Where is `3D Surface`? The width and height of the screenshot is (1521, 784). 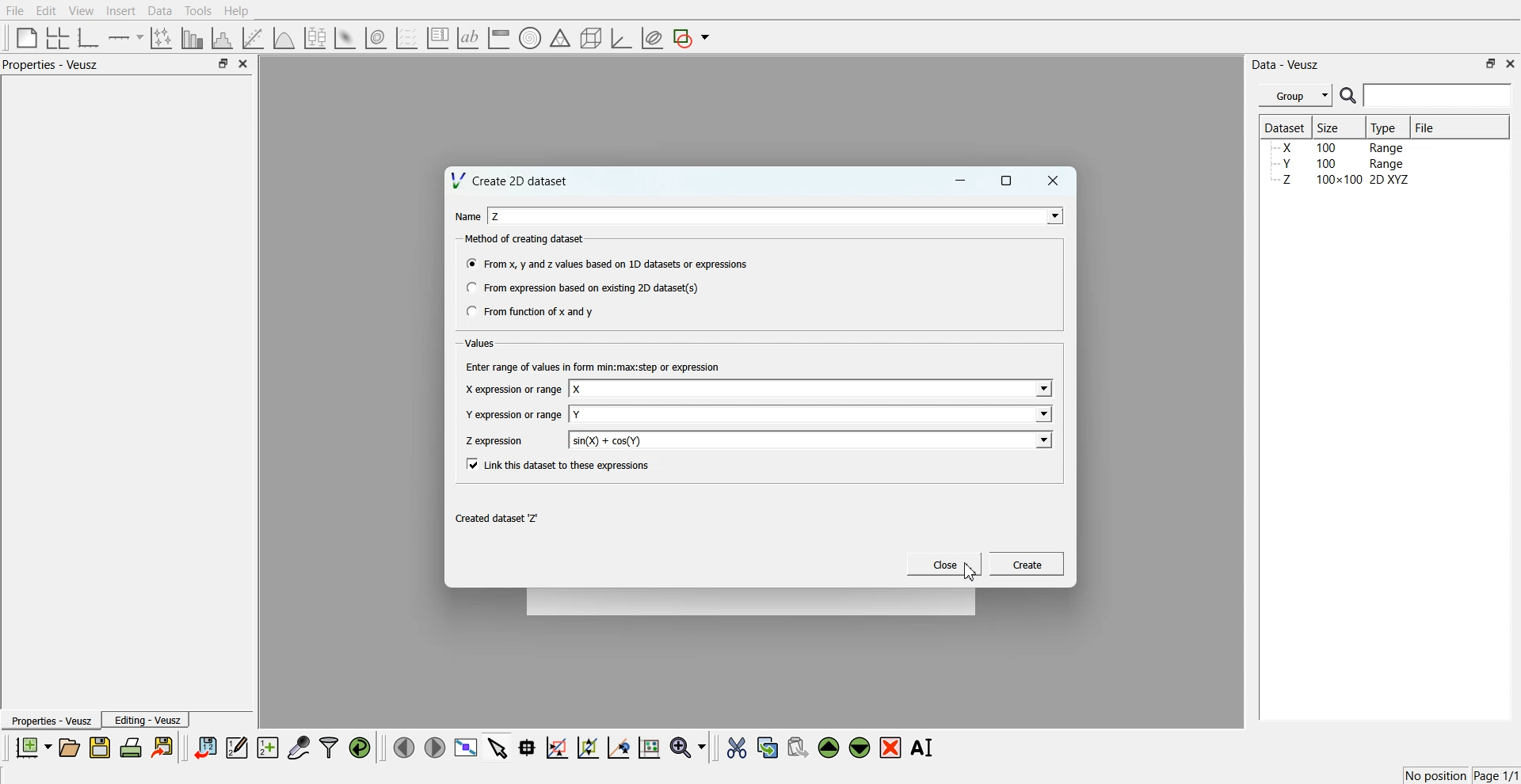 3D Surface is located at coordinates (345, 38).